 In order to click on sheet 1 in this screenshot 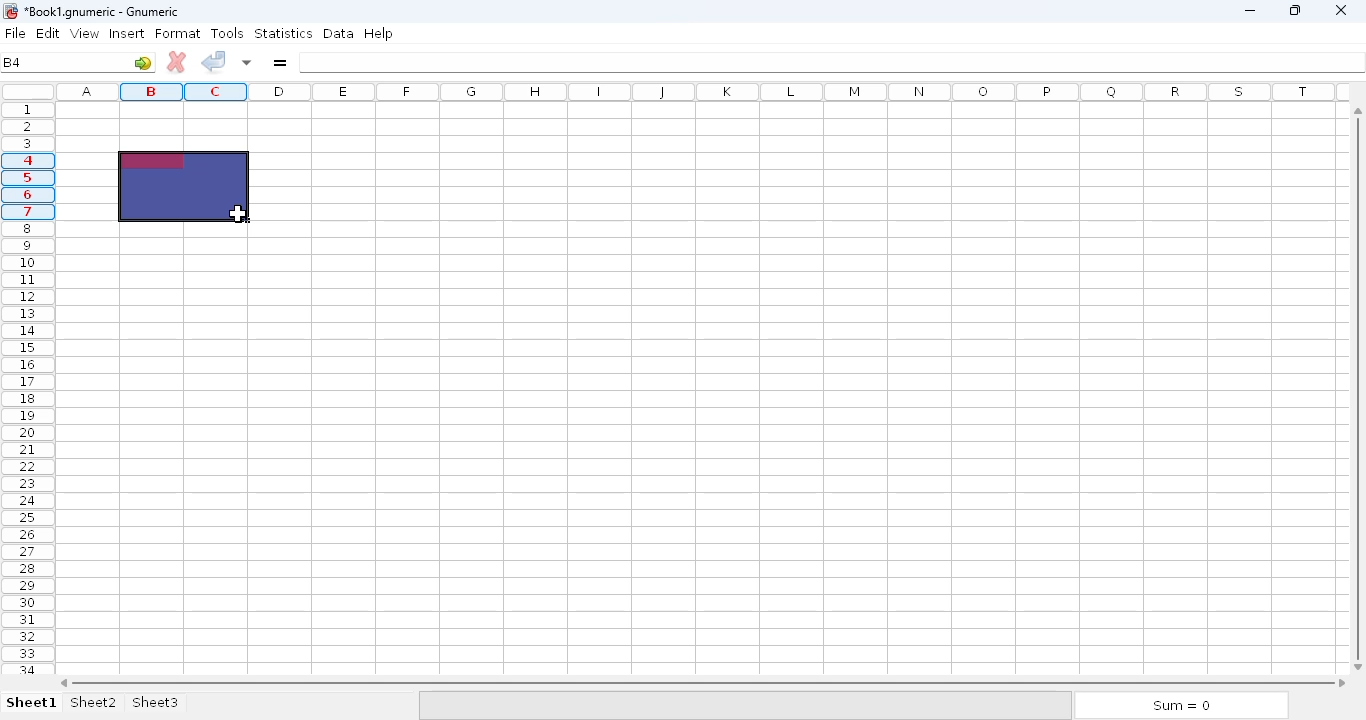, I will do `click(31, 702)`.